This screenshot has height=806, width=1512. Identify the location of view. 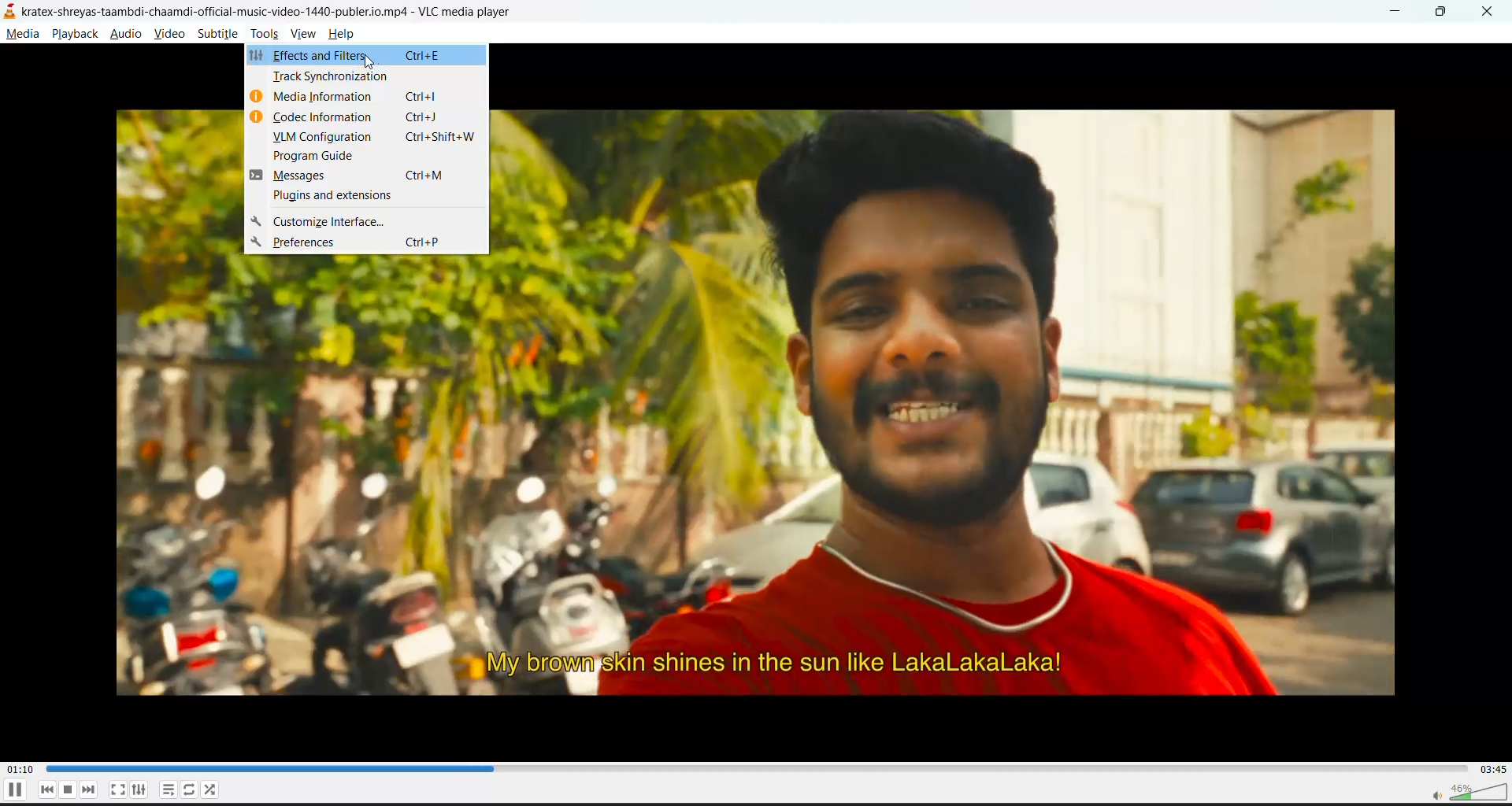
(305, 35).